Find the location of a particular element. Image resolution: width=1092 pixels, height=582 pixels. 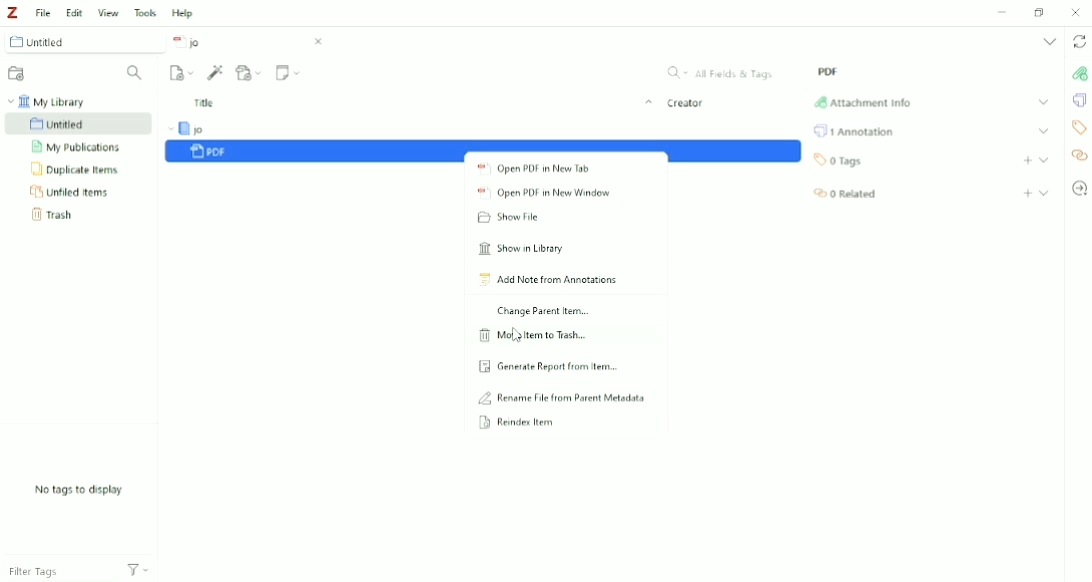

Locate is located at coordinates (1080, 188).